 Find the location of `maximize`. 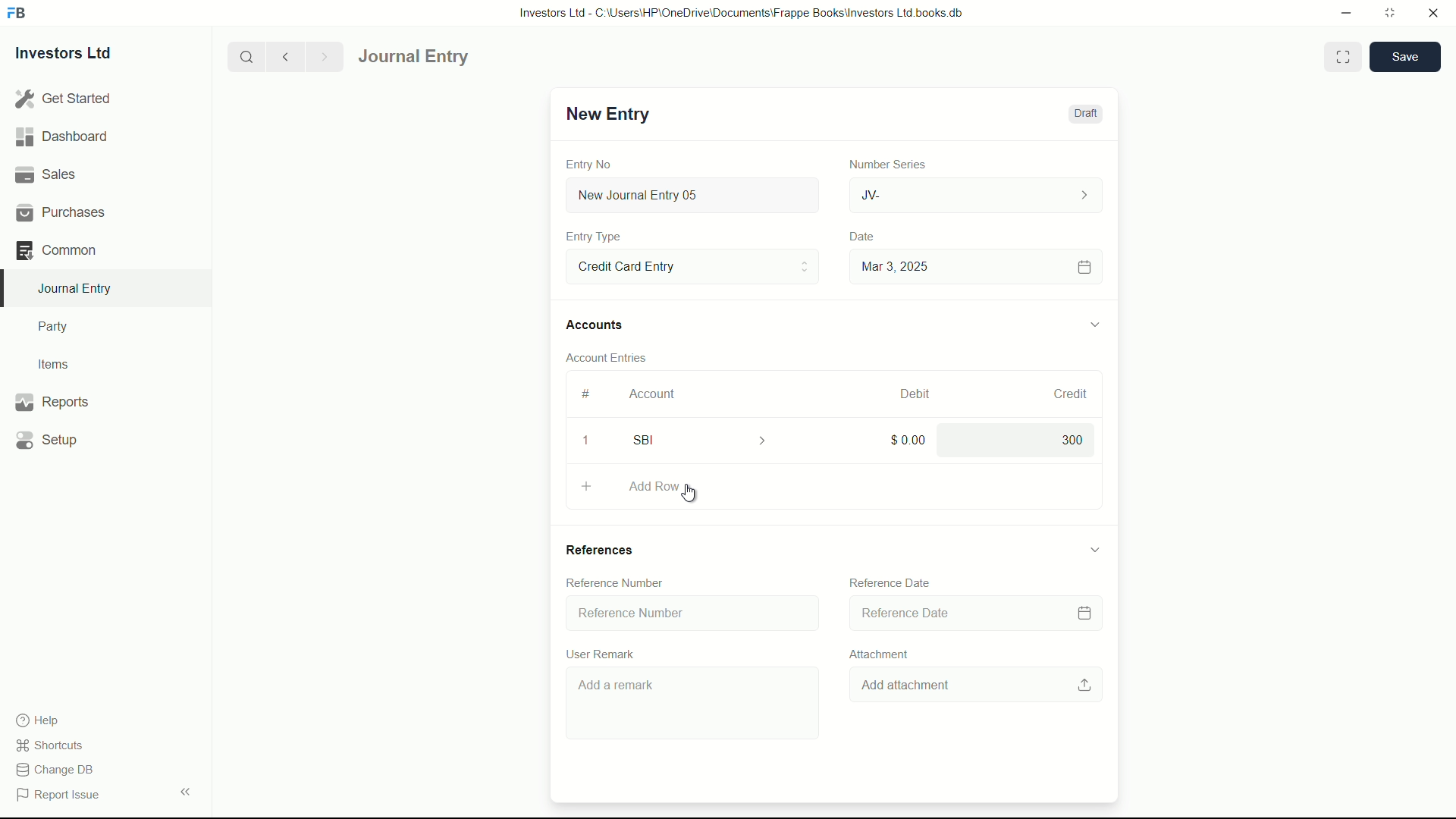

maximize is located at coordinates (1389, 11).